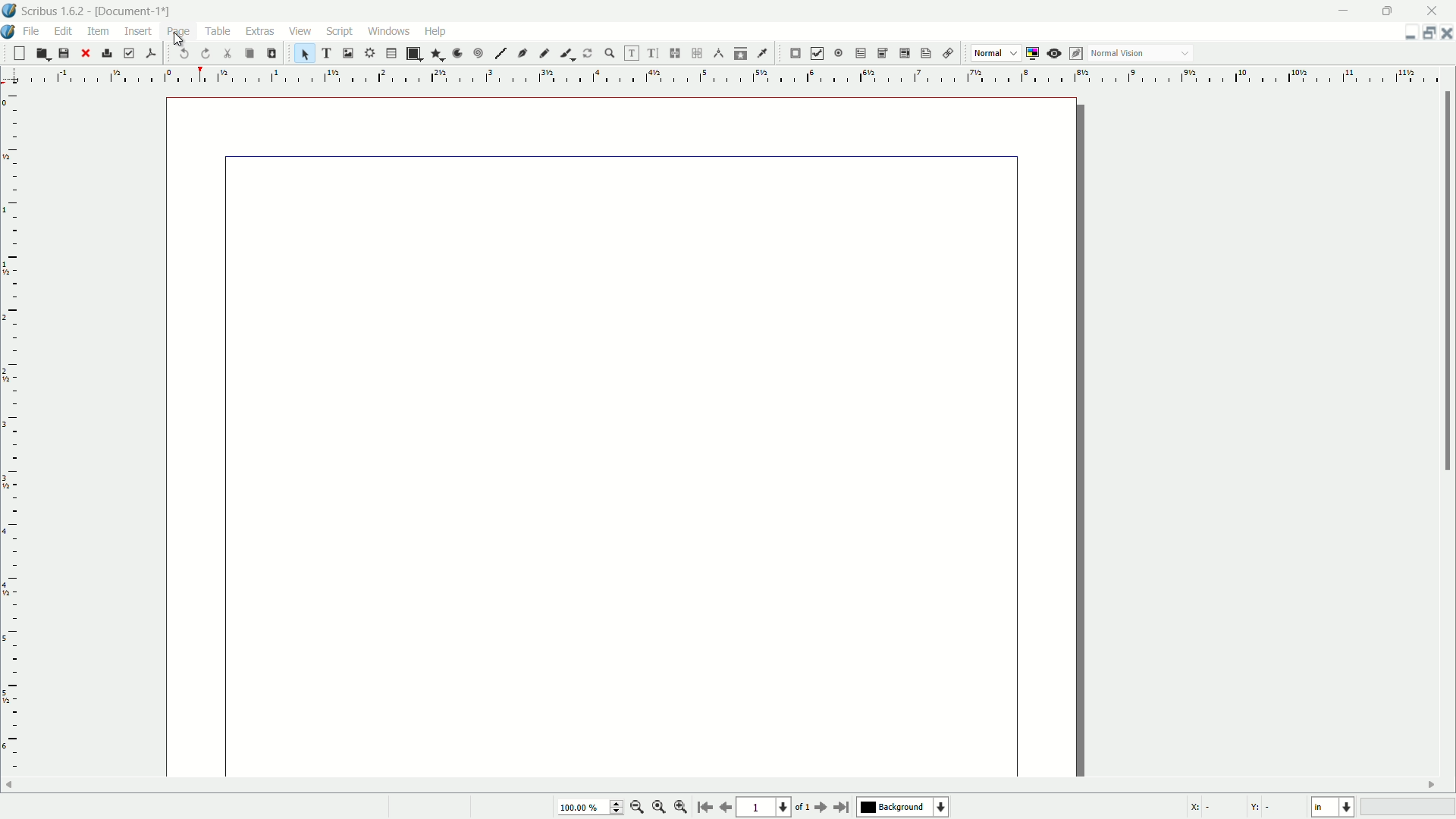 The height and width of the screenshot is (819, 1456). Describe the element at coordinates (1447, 283) in the screenshot. I see `scroll bar` at that location.